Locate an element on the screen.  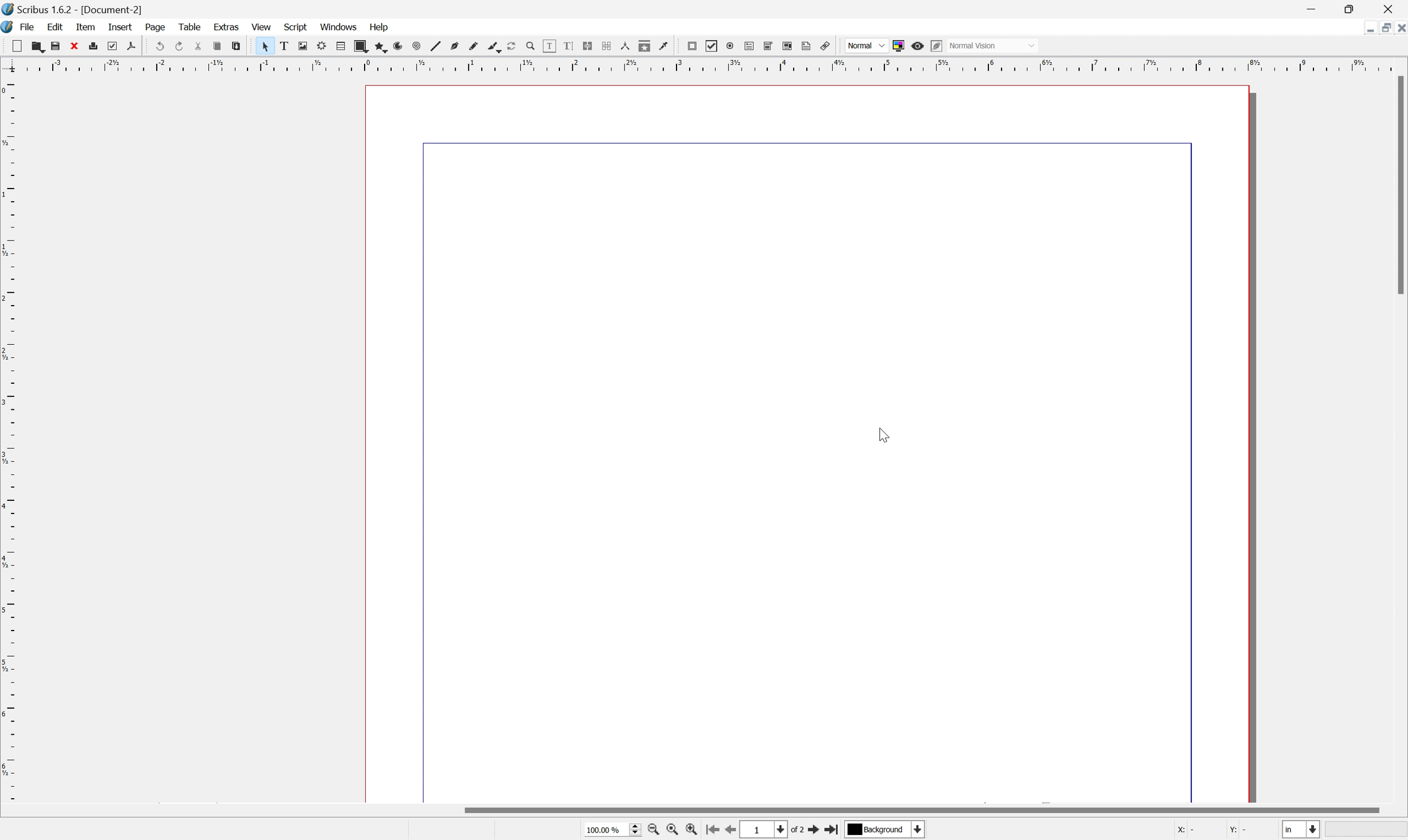
Toggle color management system is located at coordinates (898, 45).